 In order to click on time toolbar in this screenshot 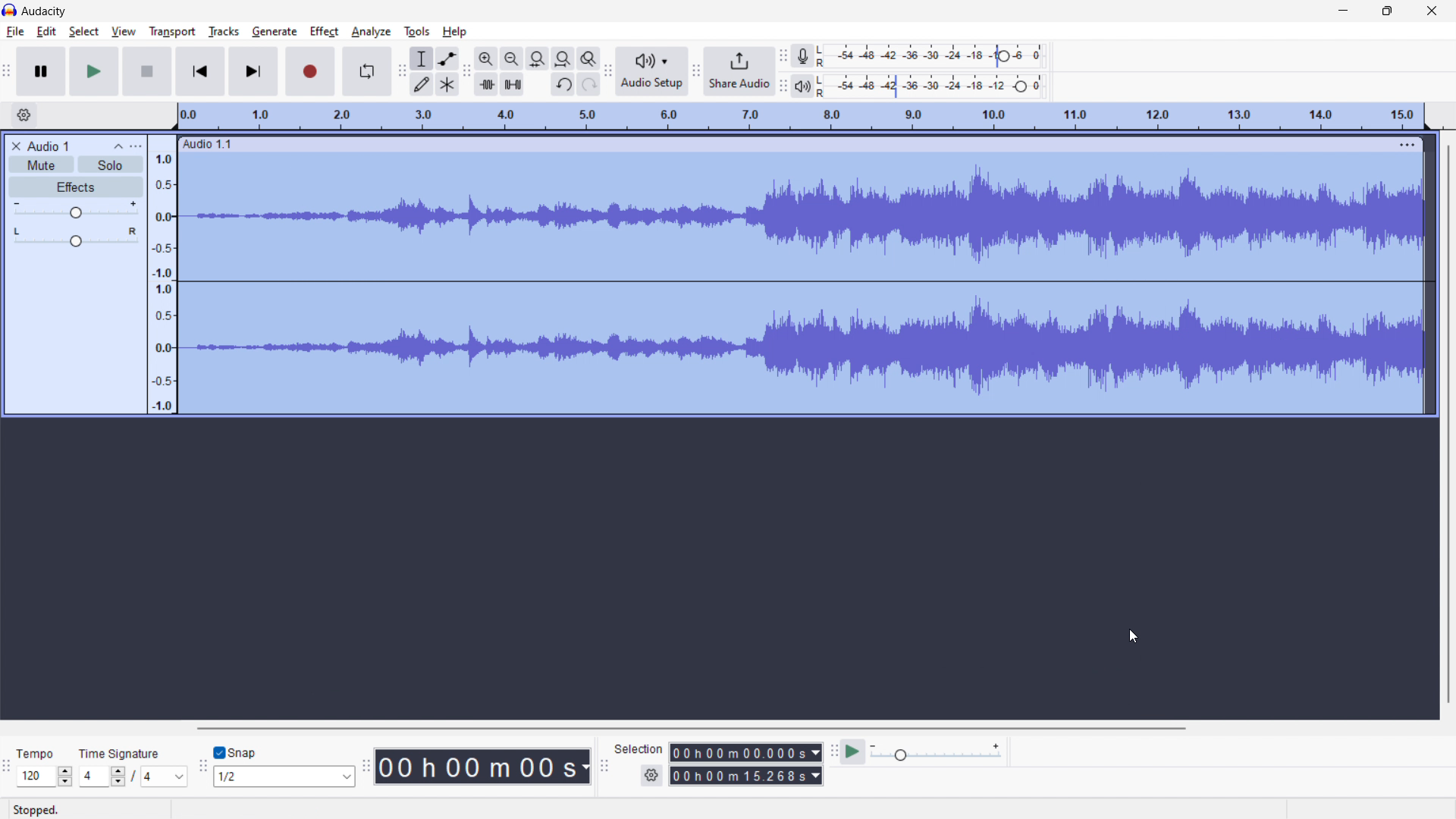, I will do `click(369, 773)`.